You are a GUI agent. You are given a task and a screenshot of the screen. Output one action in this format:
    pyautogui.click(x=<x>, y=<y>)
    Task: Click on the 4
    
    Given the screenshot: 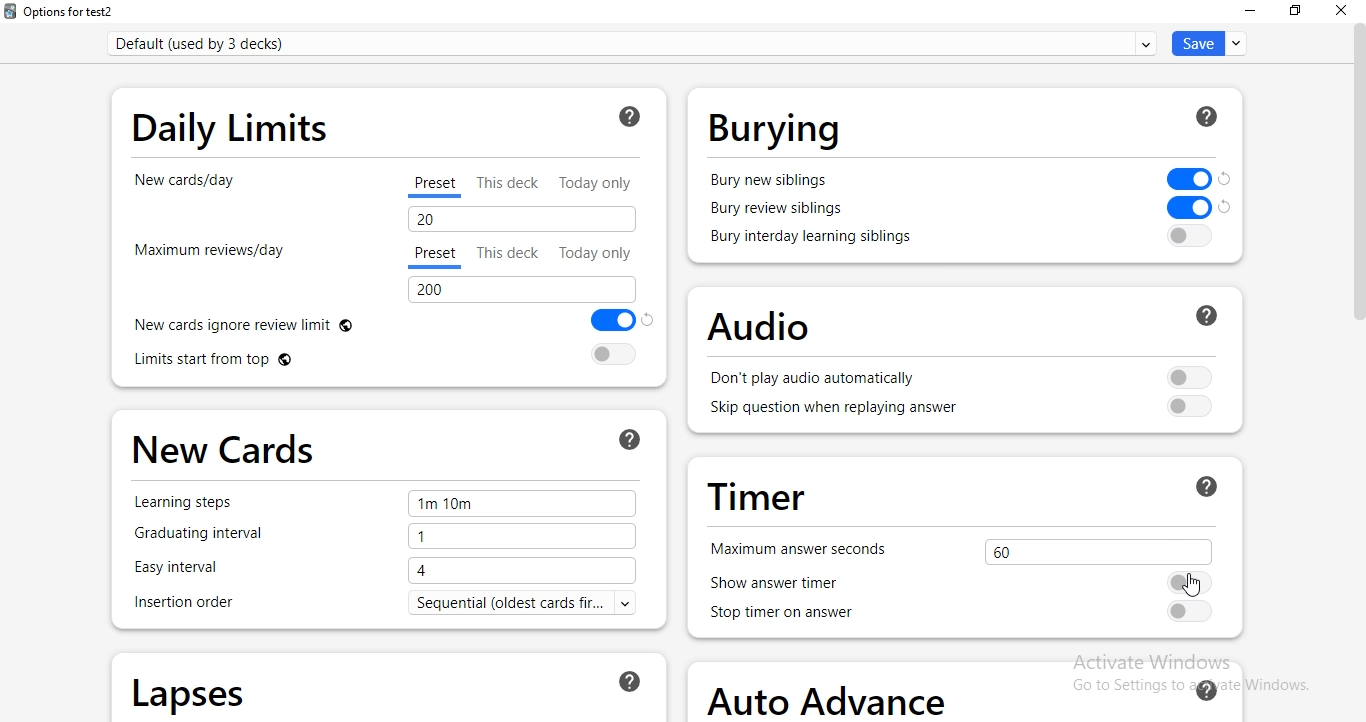 What is the action you would take?
    pyautogui.click(x=525, y=572)
    